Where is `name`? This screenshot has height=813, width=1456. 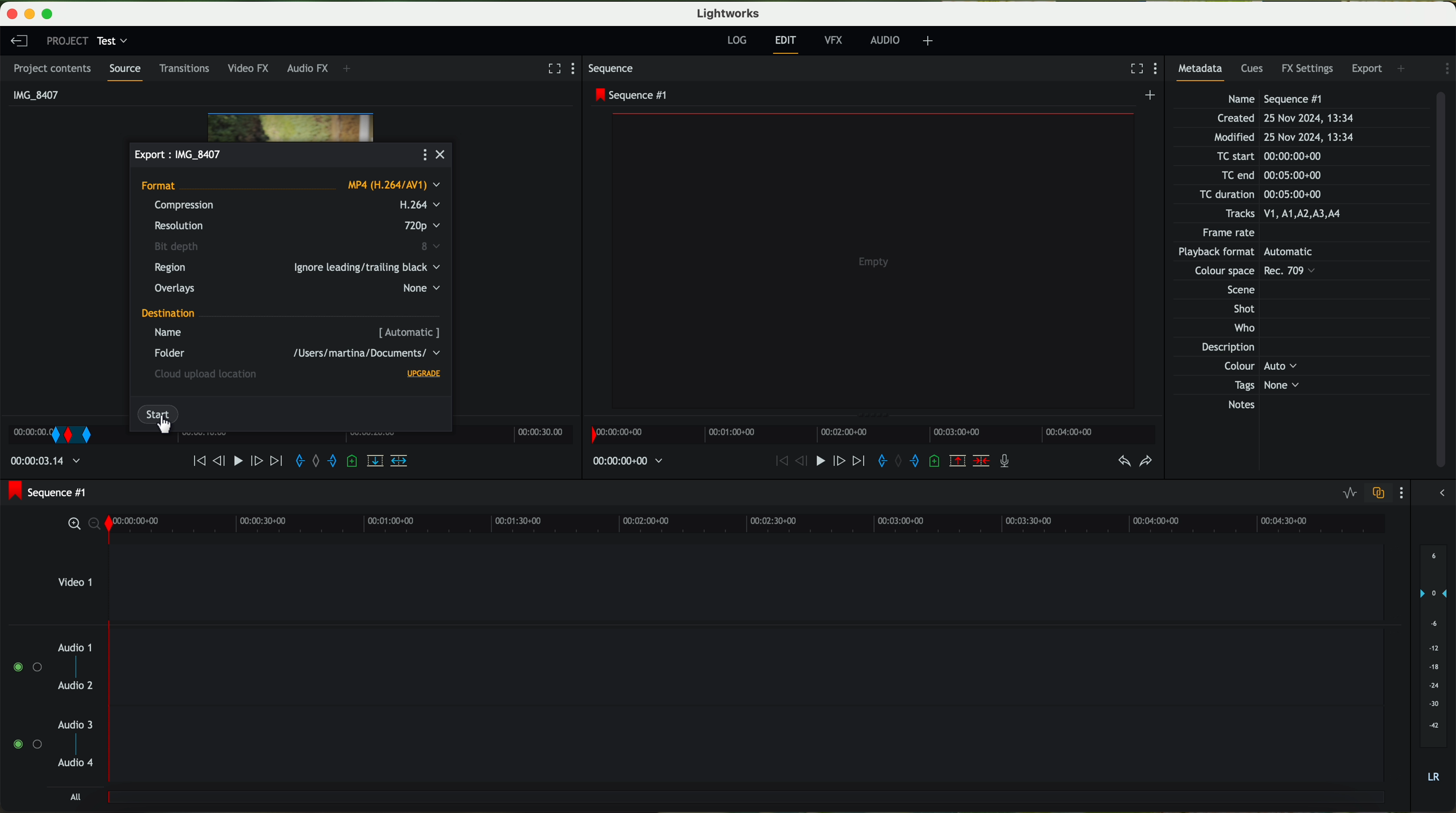
name is located at coordinates (298, 332).